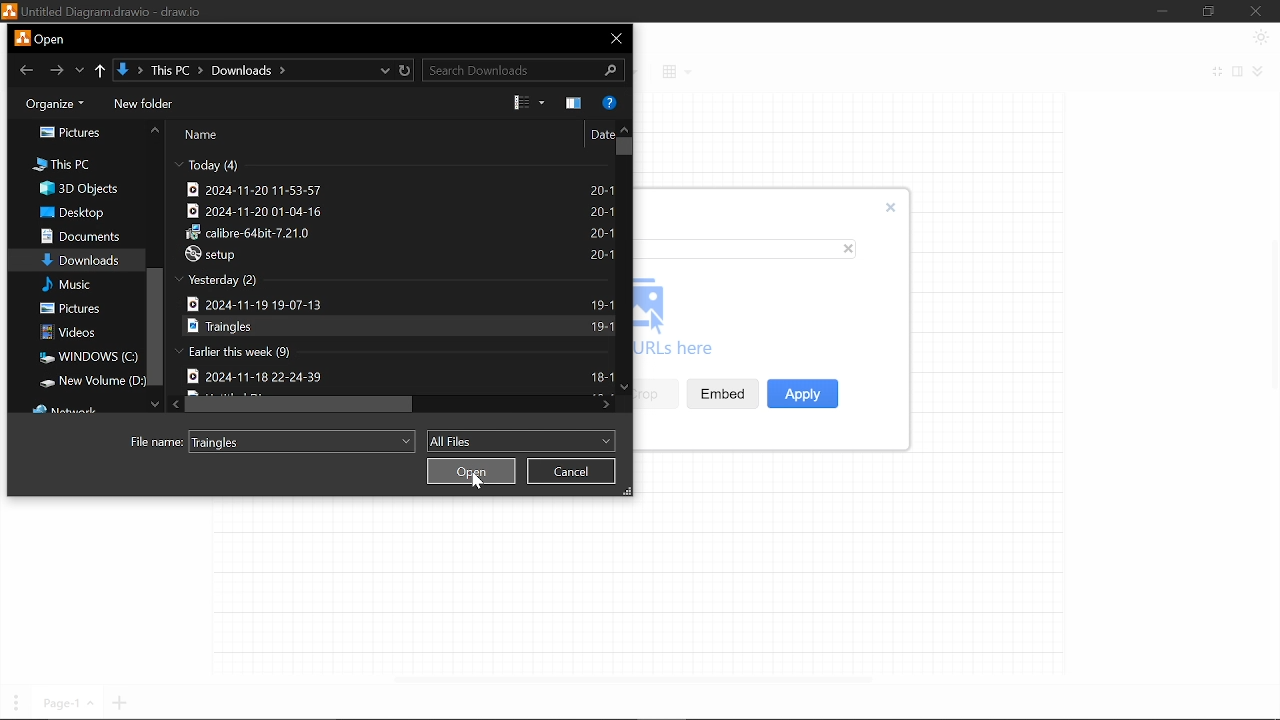 The height and width of the screenshot is (720, 1280). I want to click on Minimize, so click(1162, 12).